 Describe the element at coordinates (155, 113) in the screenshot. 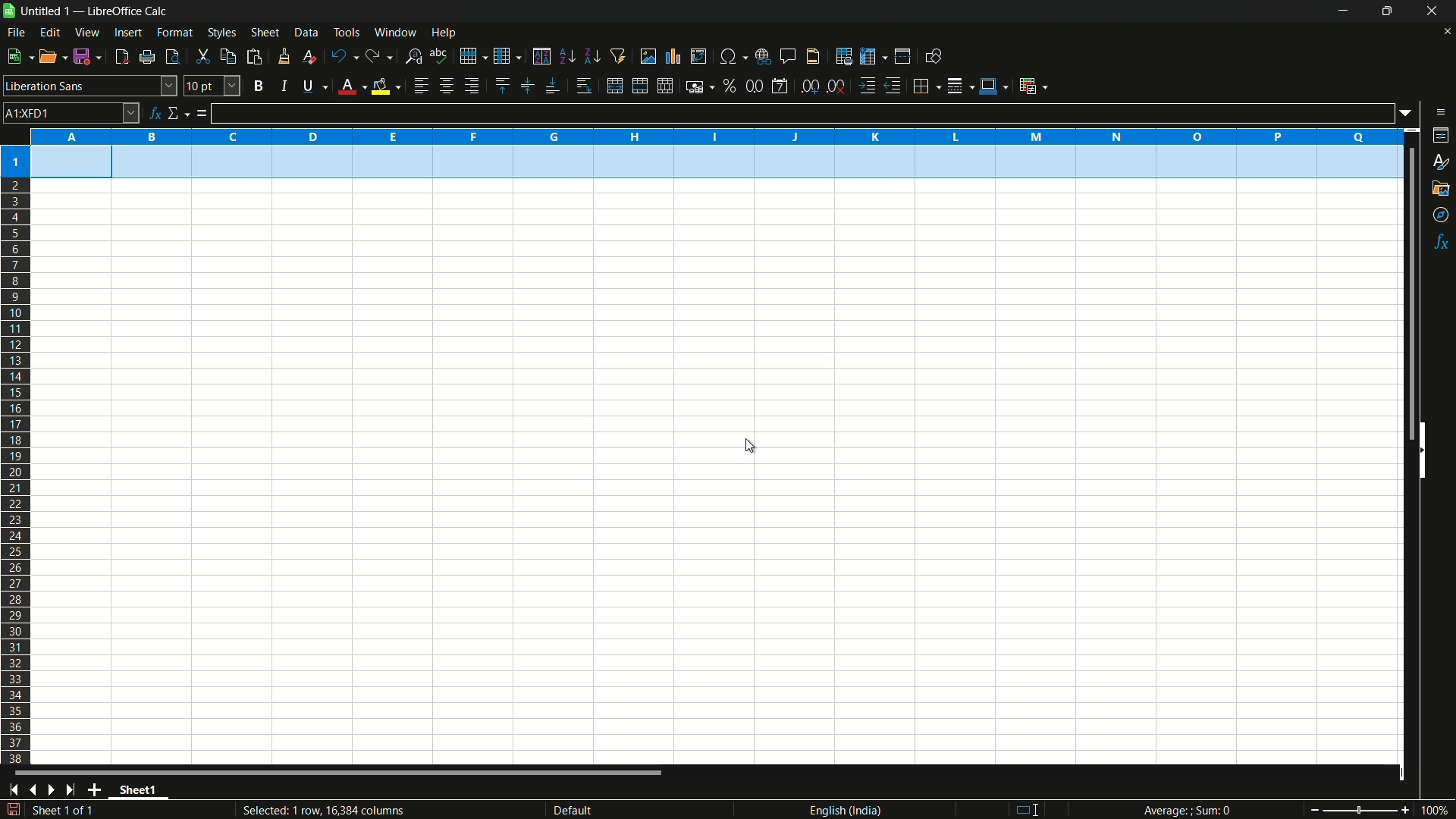

I see `function wizard` at that location.